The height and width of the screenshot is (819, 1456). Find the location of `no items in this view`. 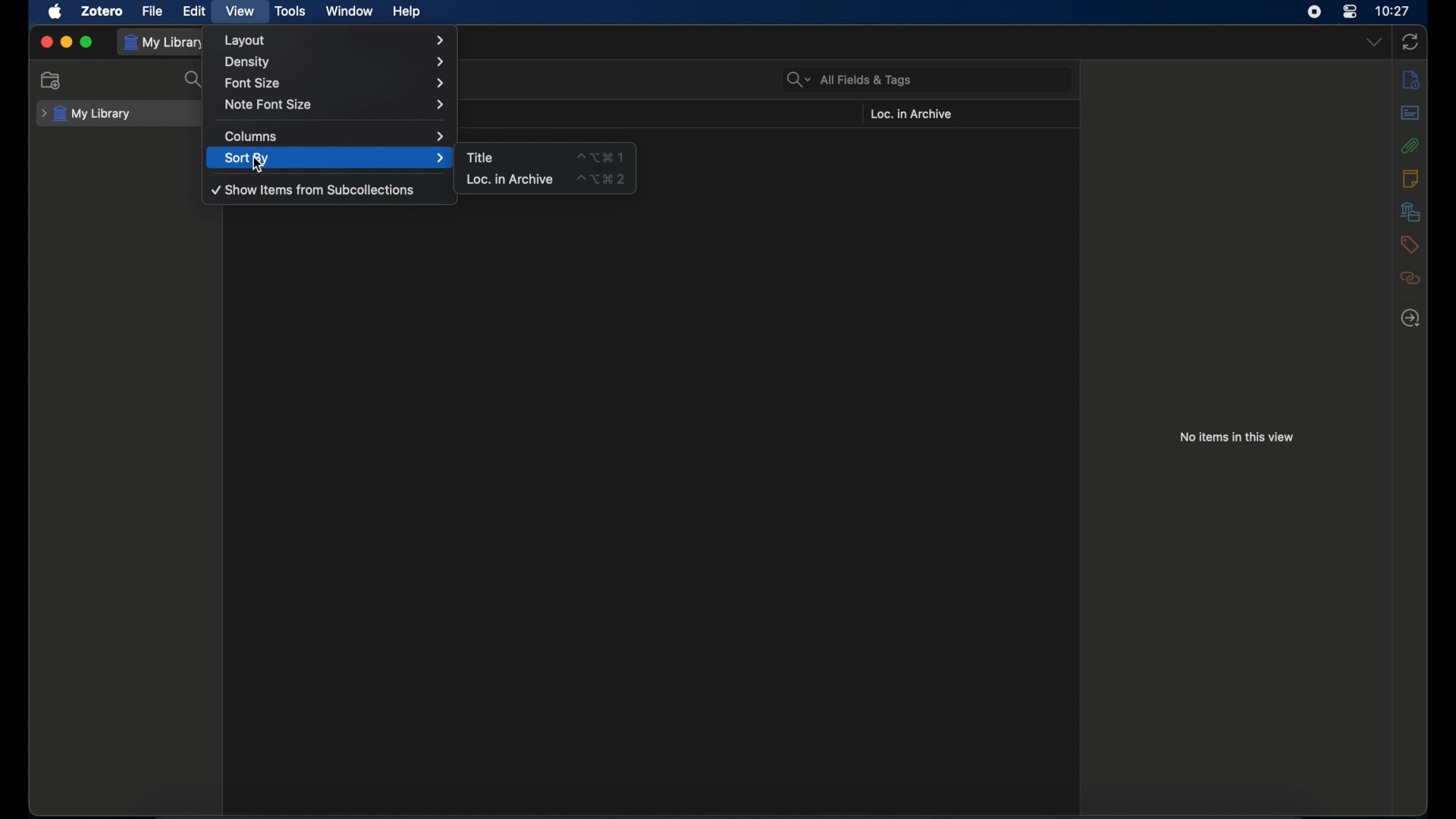

no items in this view is located at coordinates (1238, 437).